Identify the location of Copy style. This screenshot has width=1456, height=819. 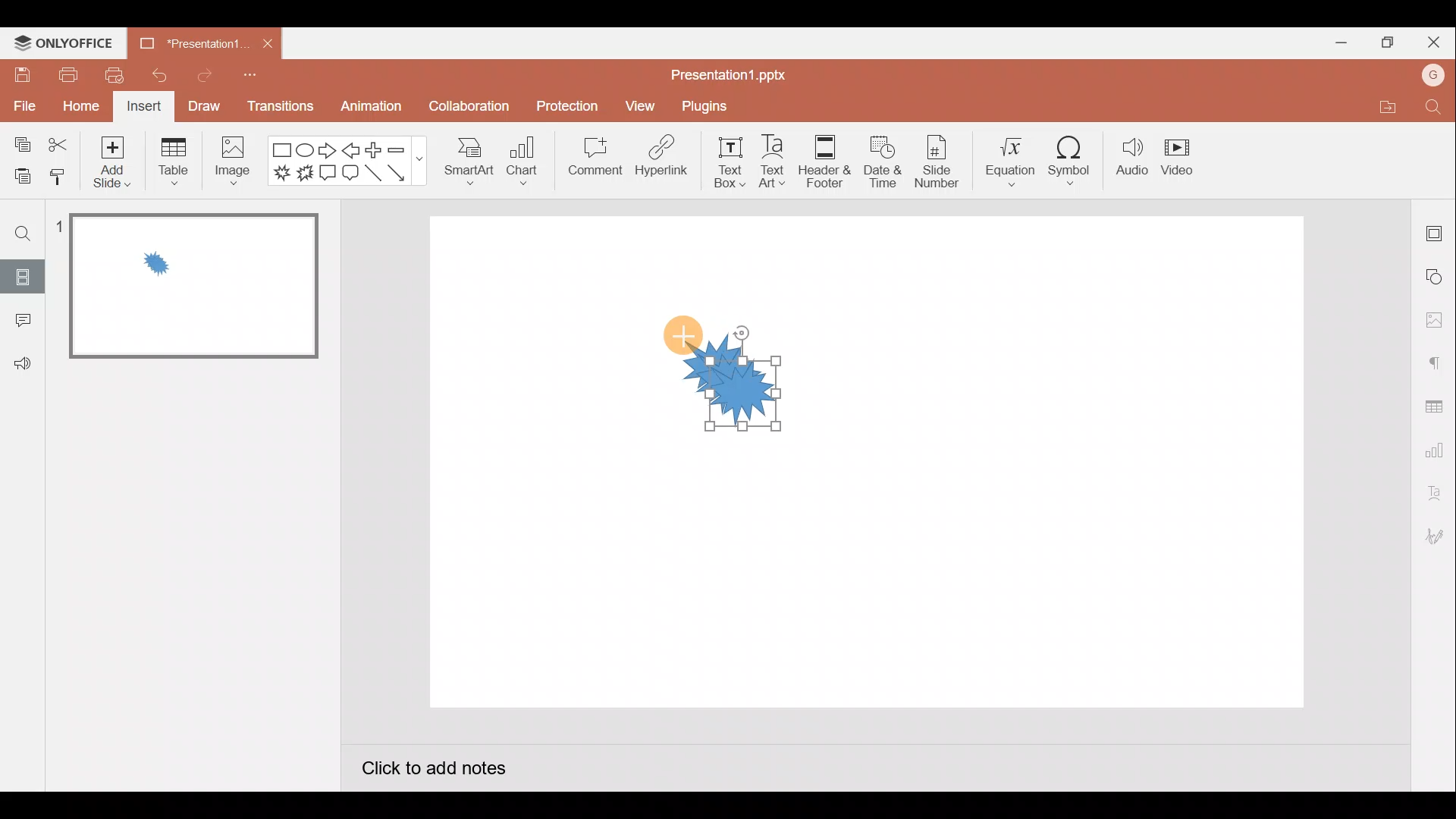
(64, 180).